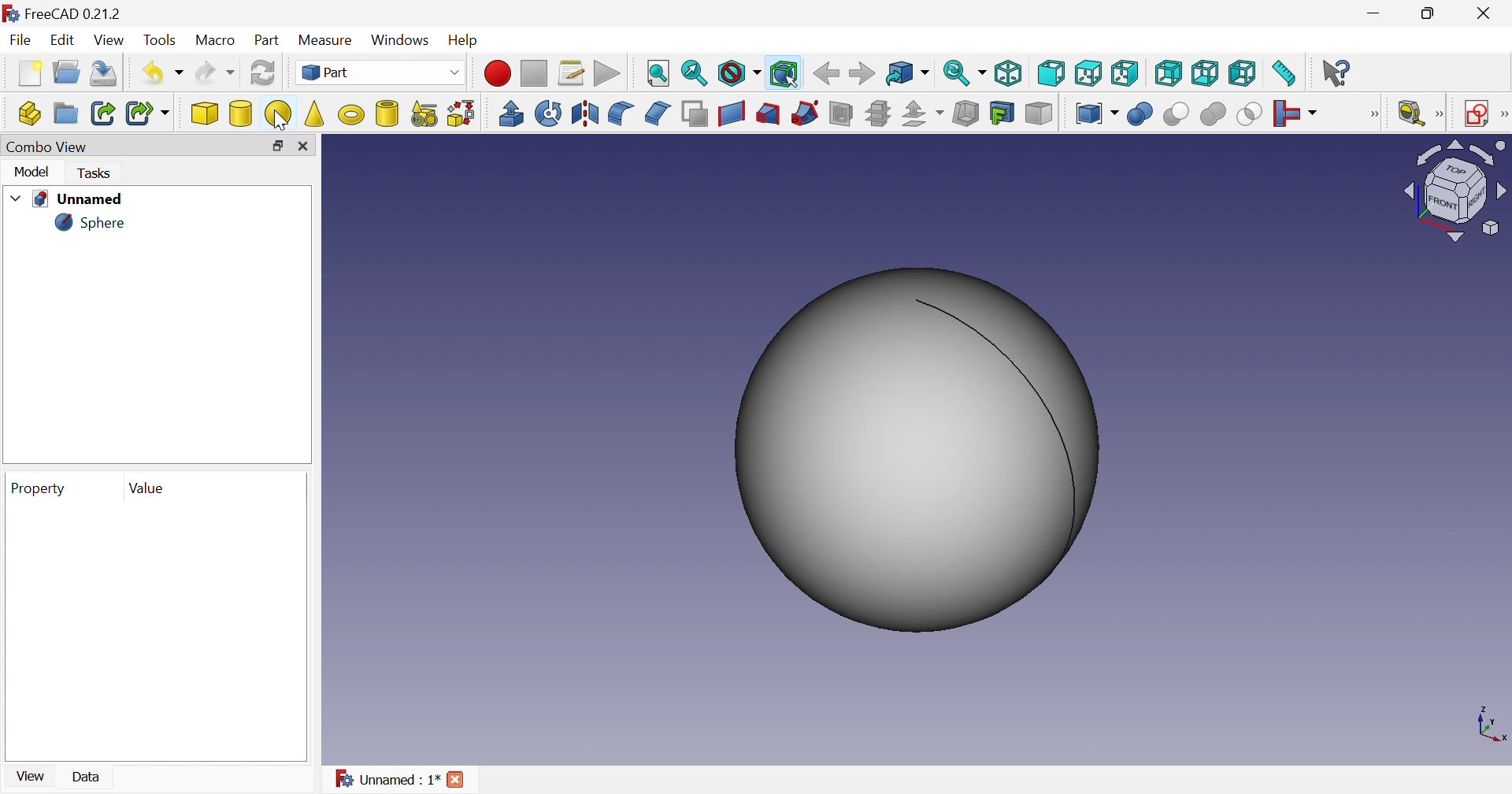 This screenshot has width=1512, height=794. Describe the element at coordinates (98, 173) in the screenshot. I see `Tasks` at that location.